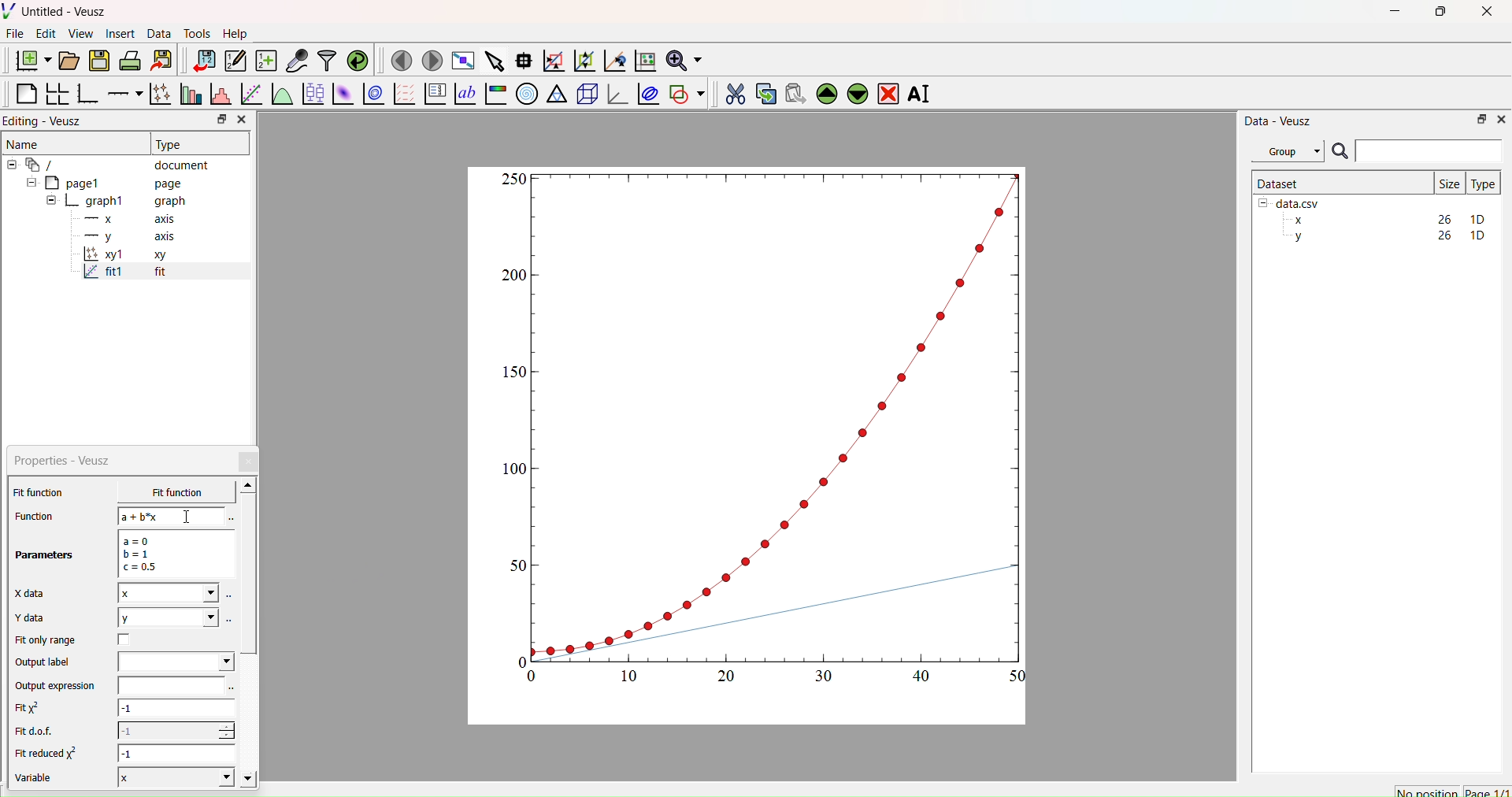 This screenshot has width=1512, height=797. I want to click on Polar Graph, so click(527, 94).